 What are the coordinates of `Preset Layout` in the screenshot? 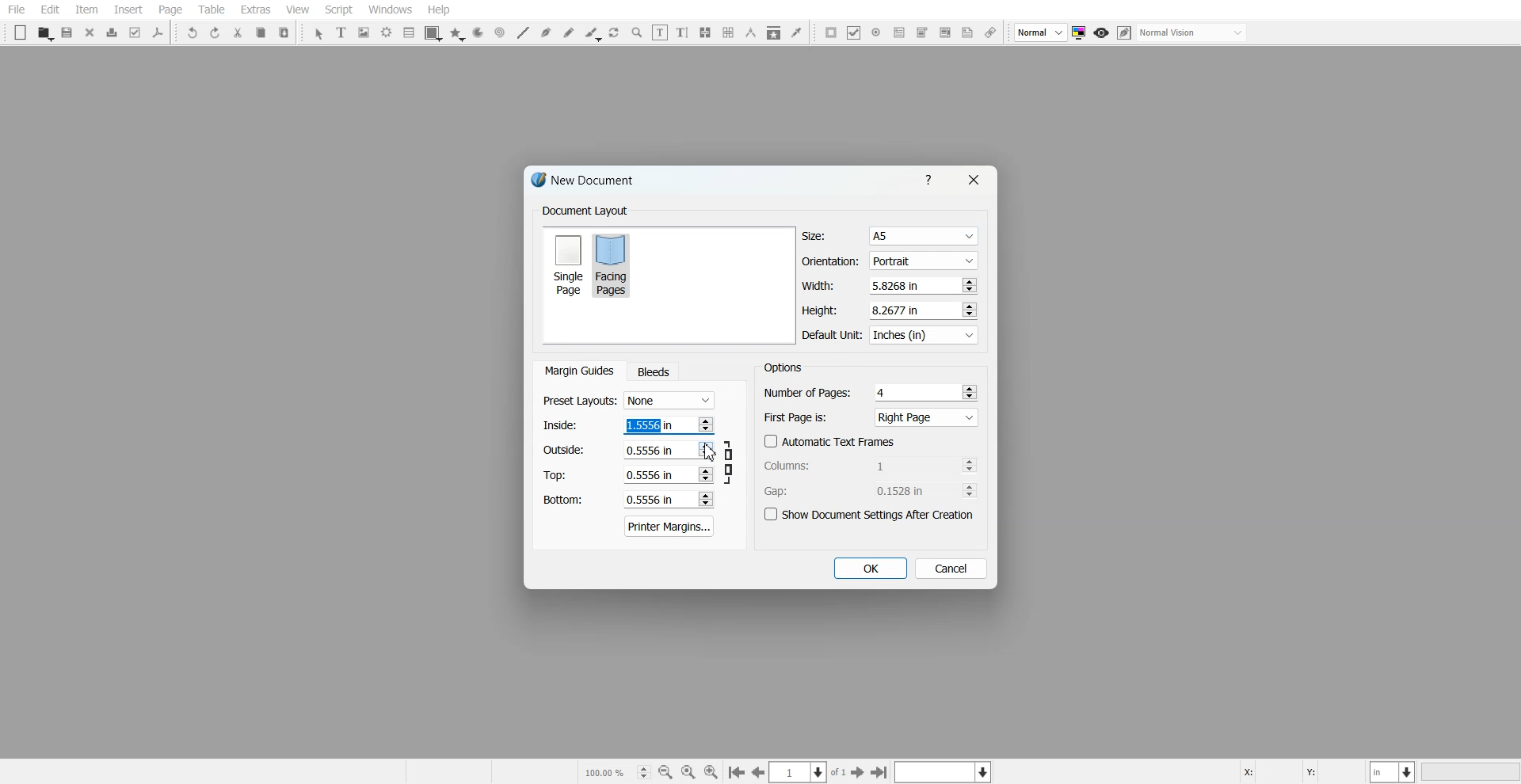 It's located at (628, 401).